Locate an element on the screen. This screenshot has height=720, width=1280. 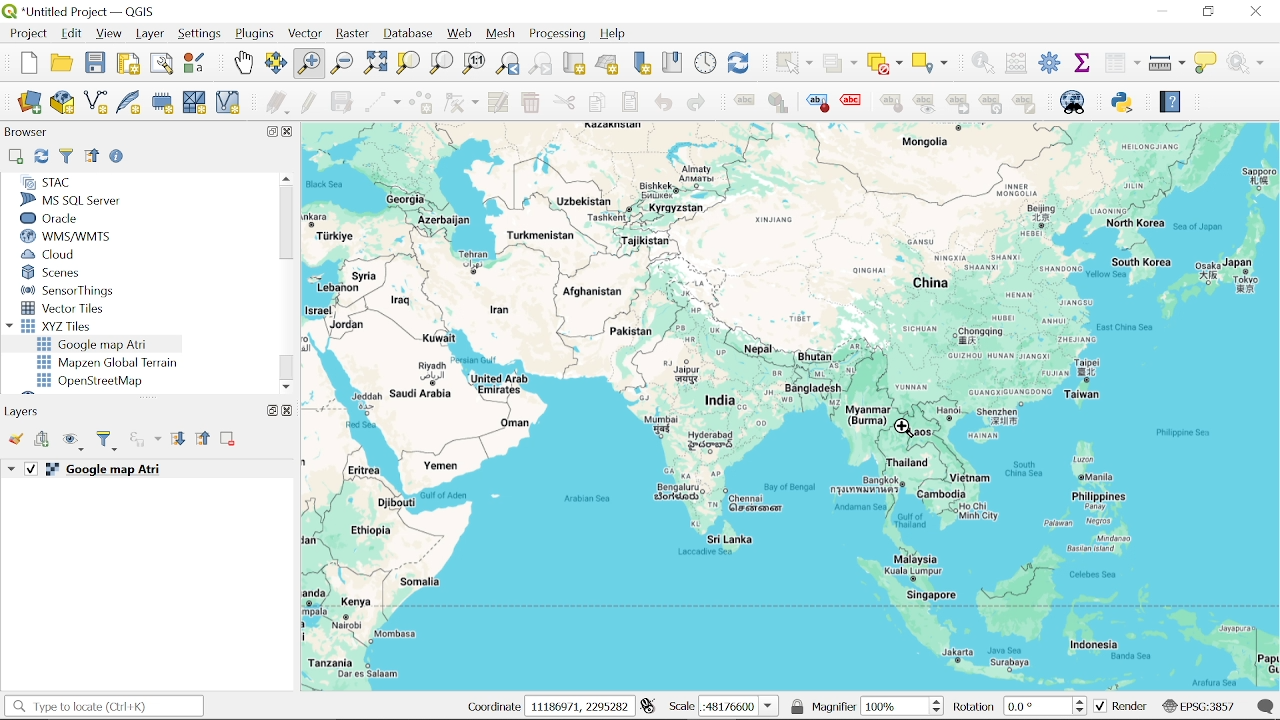
Zoom to native resolution is located at coordinates (474, 62).